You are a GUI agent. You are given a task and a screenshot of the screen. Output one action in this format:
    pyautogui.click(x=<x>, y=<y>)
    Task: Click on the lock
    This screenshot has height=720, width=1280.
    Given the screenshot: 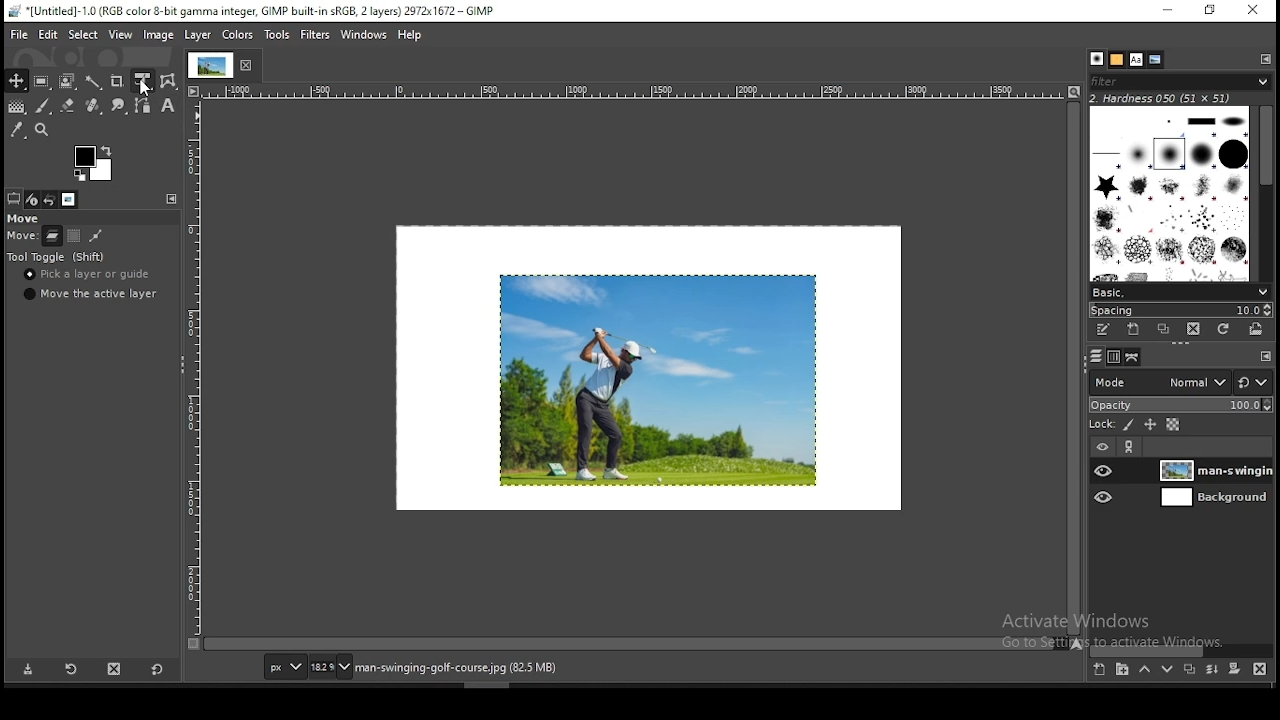 What is the action you would take?
    pyautogui.click(x=1103, y=425)
    